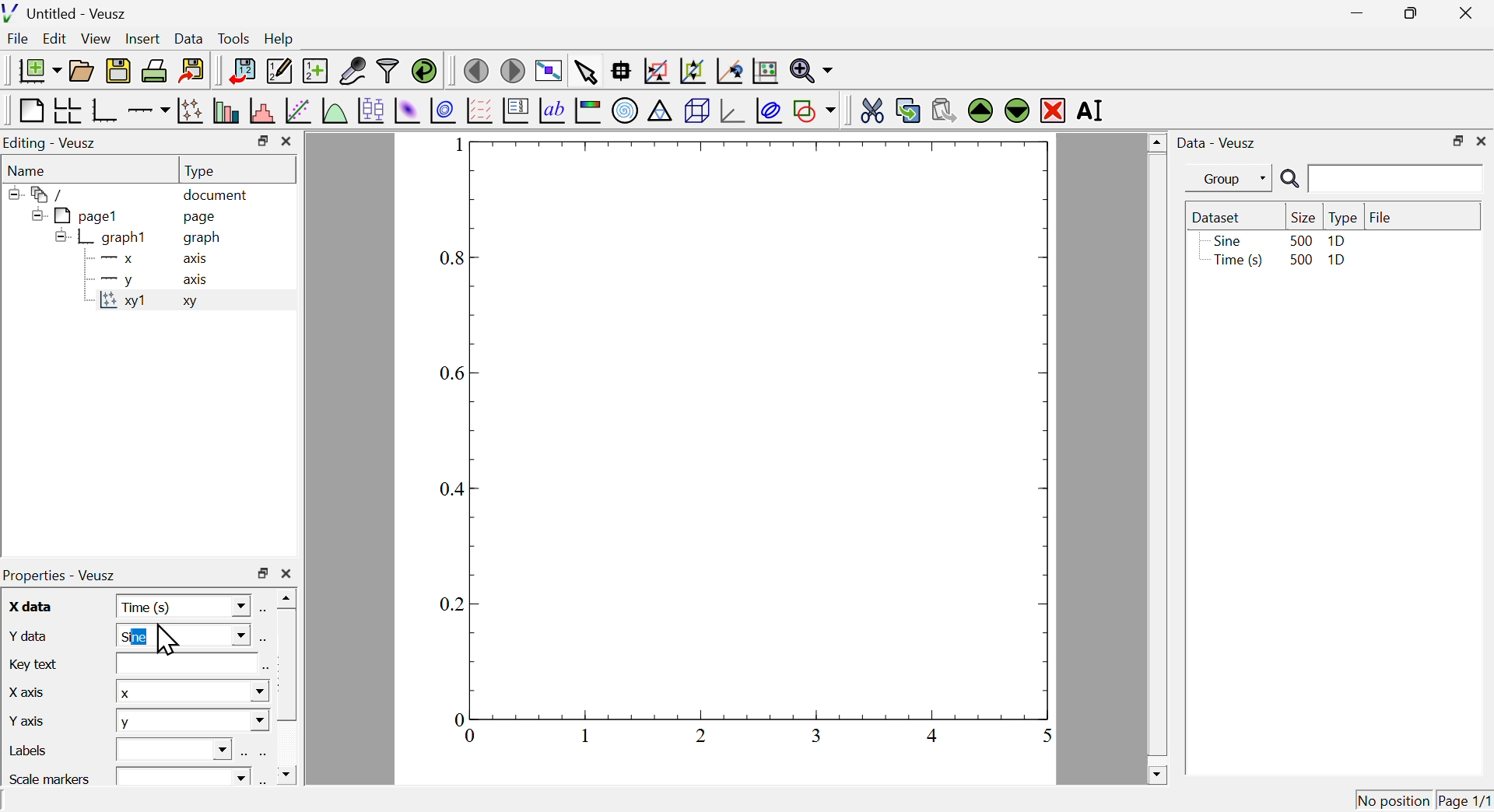  I want to click on cut the selected widget, so click(869, 109).